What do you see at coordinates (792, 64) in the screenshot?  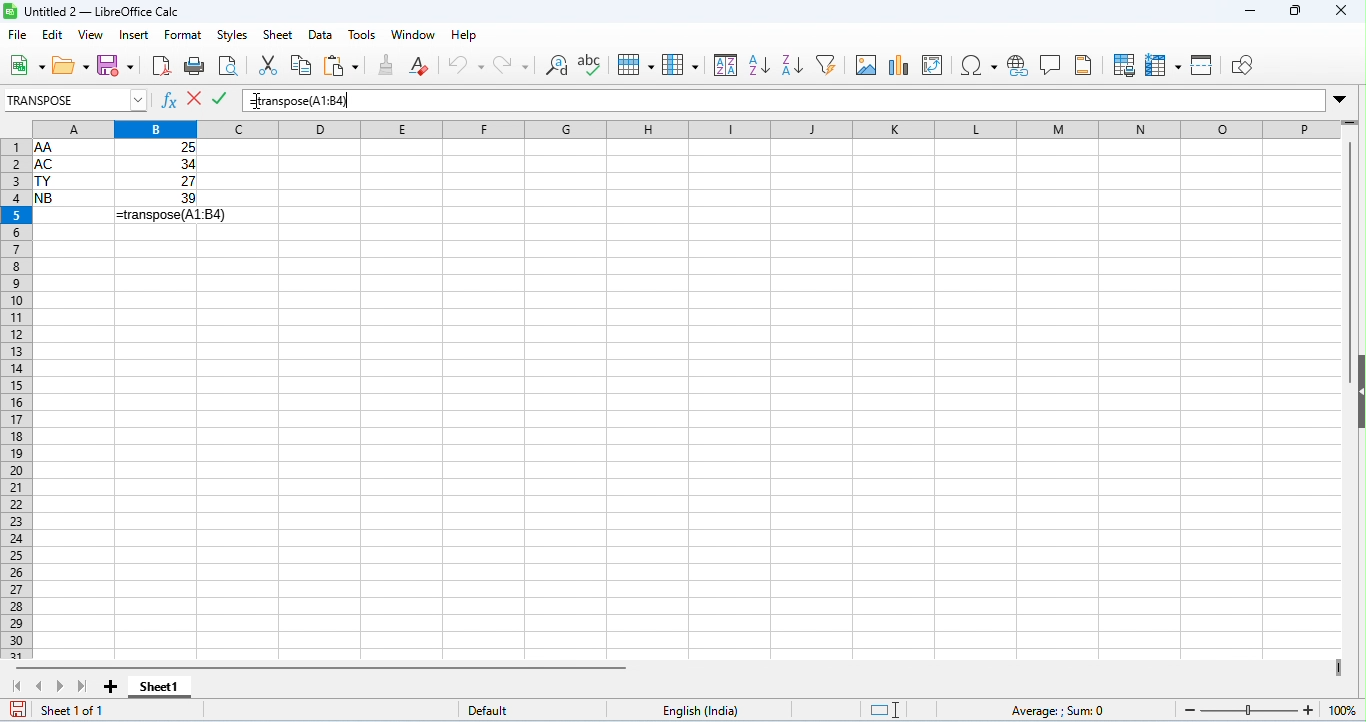 I see `sort descending` at bounding box center [792, 64].